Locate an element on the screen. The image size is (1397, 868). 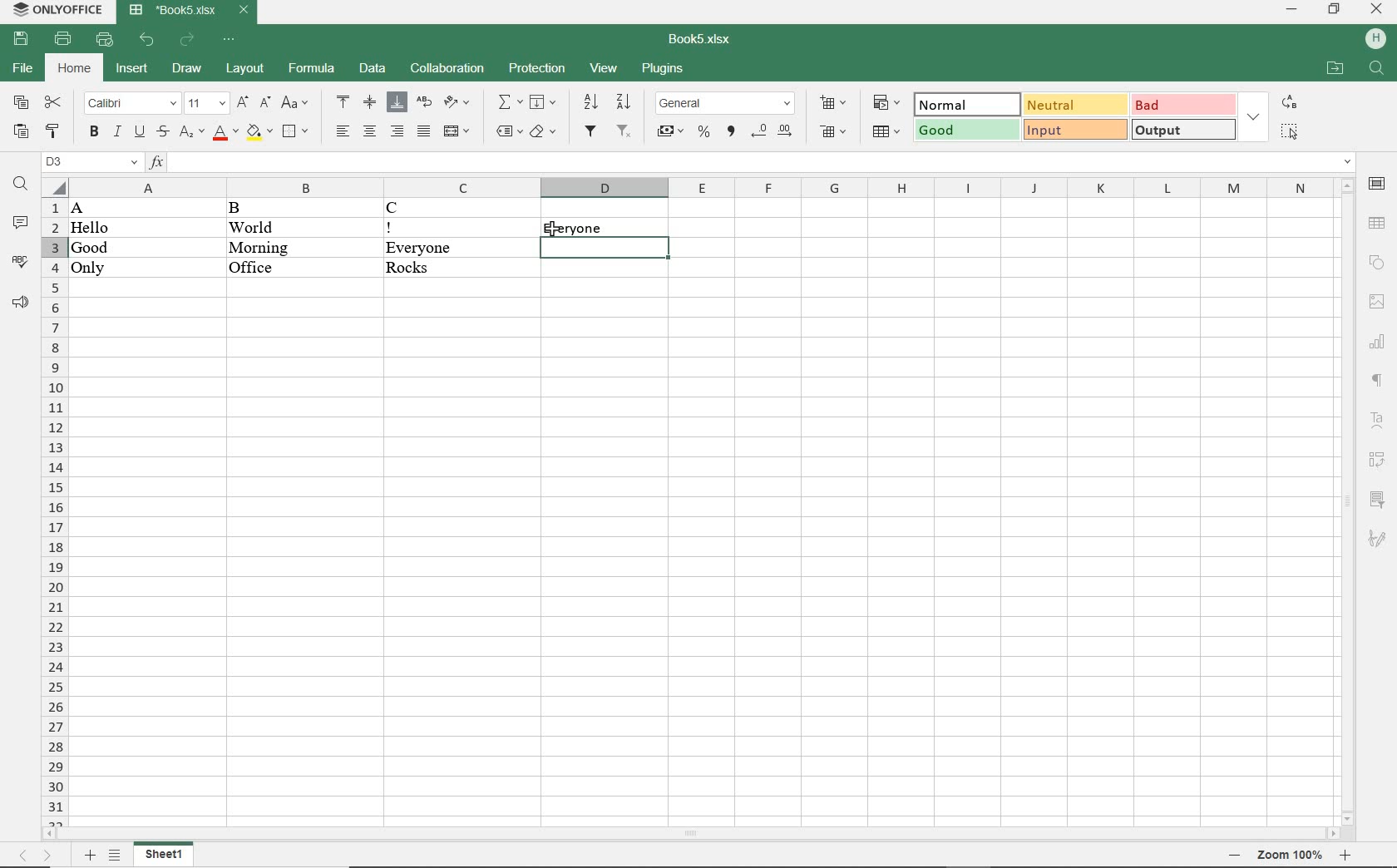
columns is located at coordinates (701, 186).